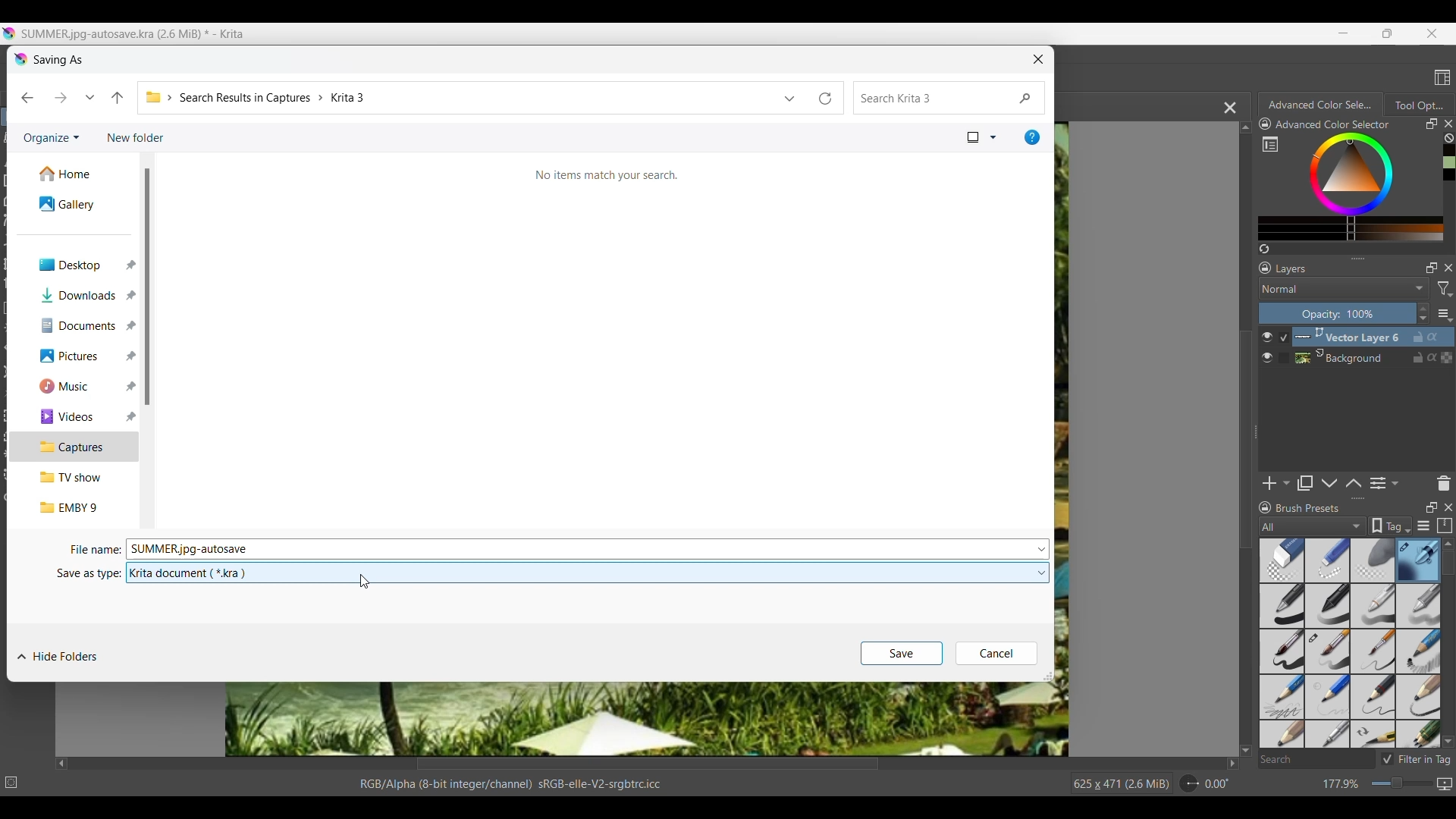 Image resolution: width=1456 pixels, height=819 pixels. I want to click on Gallery folder, so click(77, 204).